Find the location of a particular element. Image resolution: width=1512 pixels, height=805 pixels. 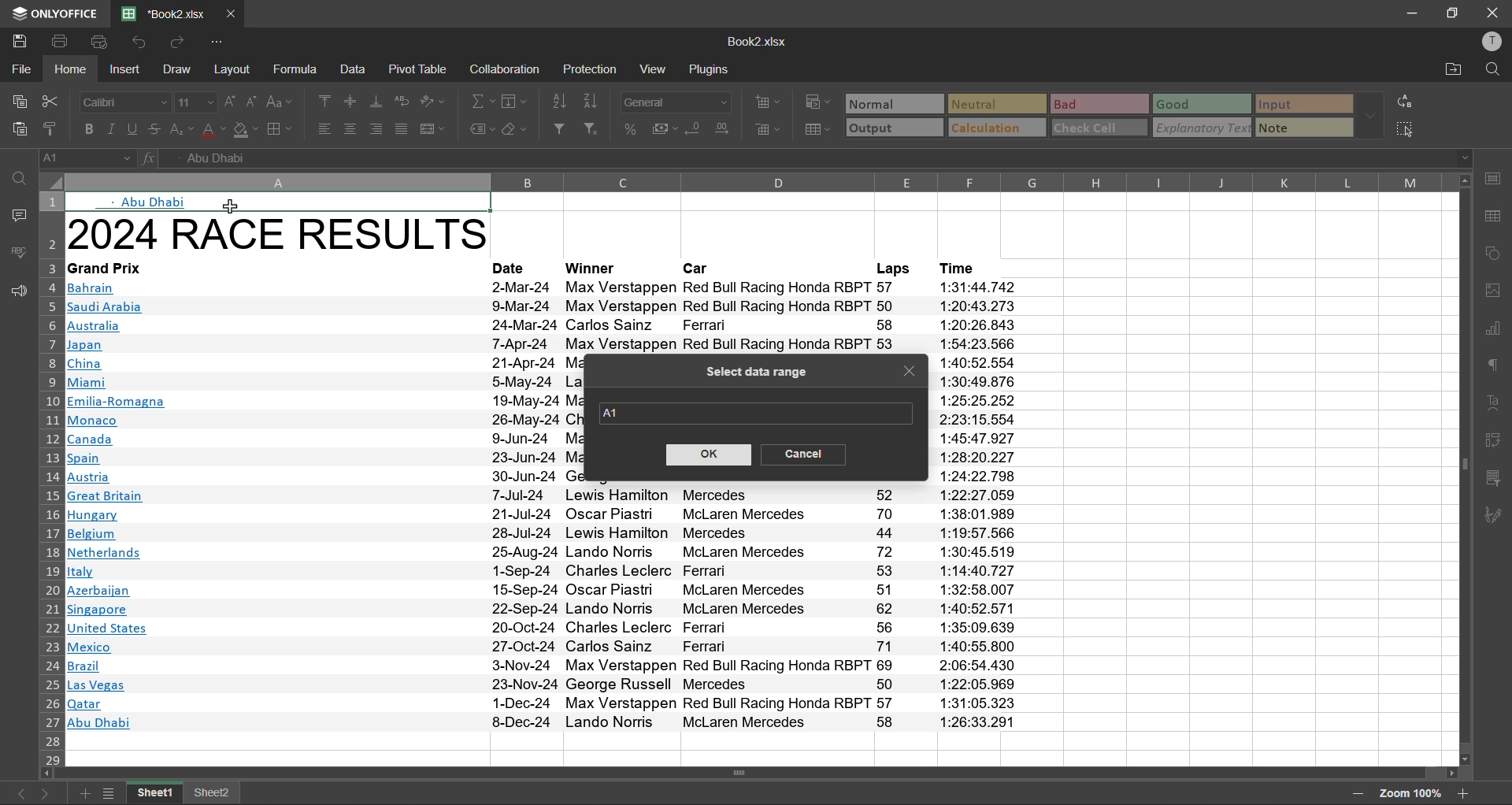

fields is located at coordinates (514, 103).